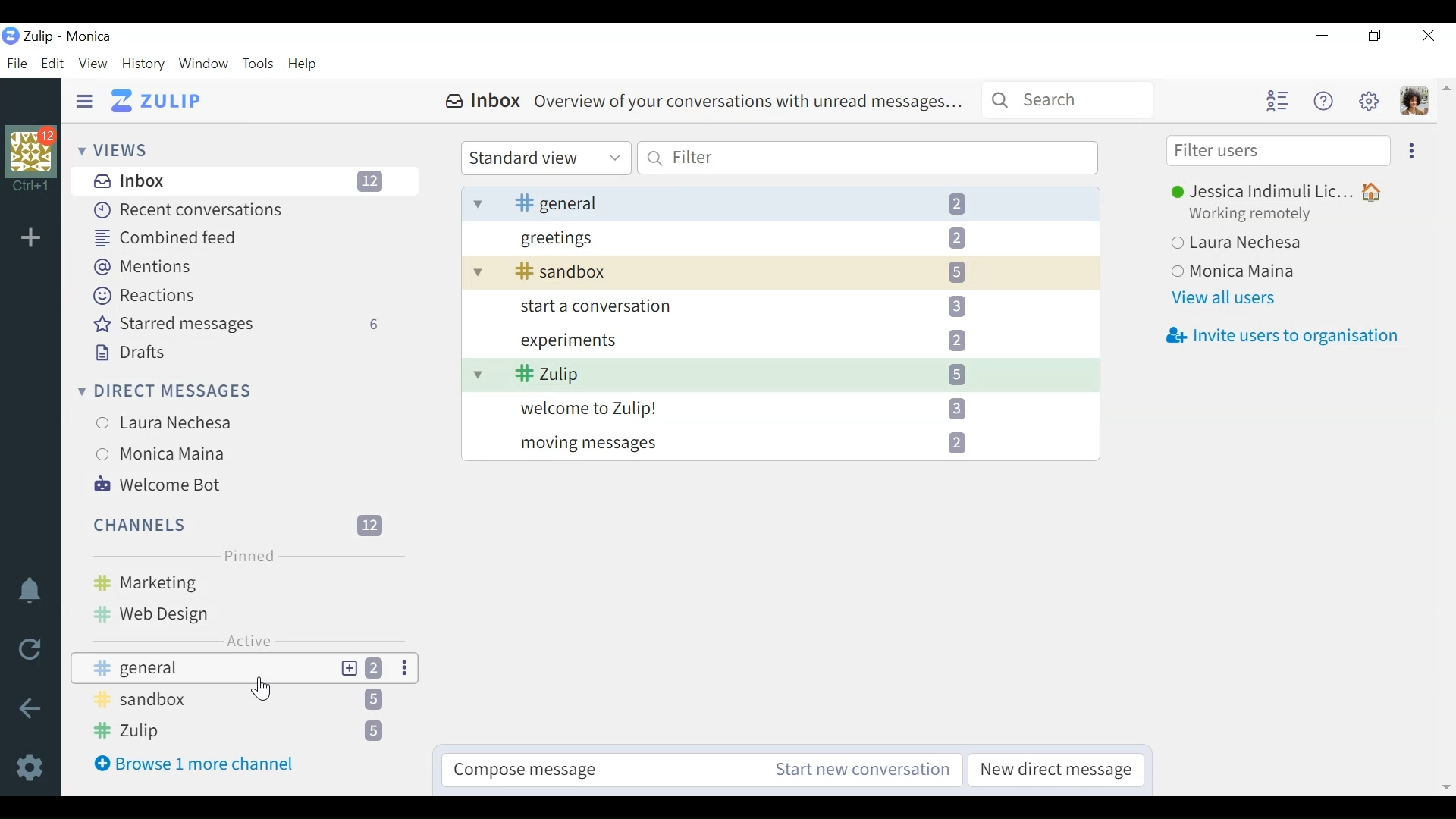  Describe the element at coordinates (303, 65) in the screenshot. I see `Help` at that location.